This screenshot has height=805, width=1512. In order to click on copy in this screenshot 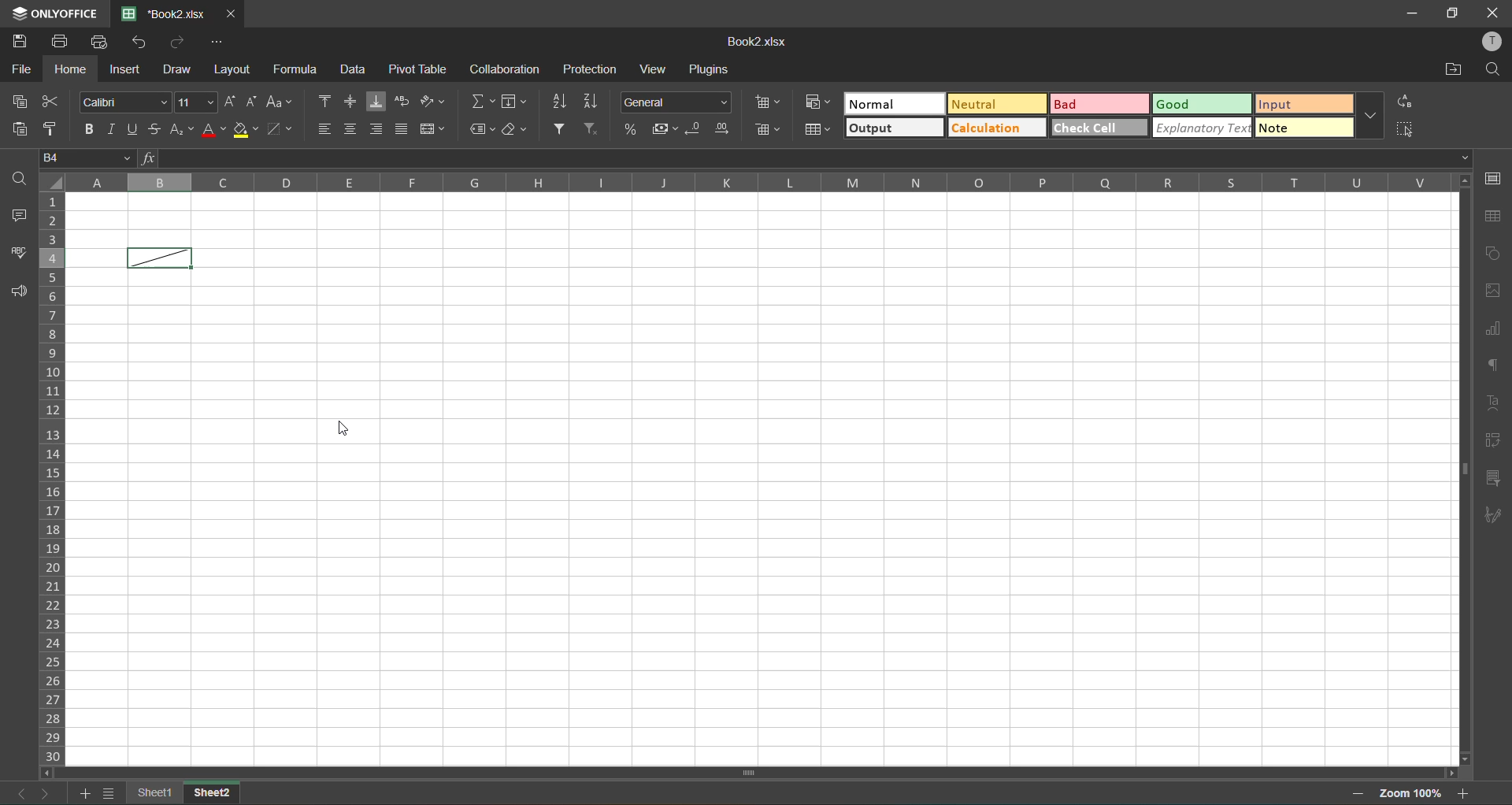, I will do `click(22, 101)`.